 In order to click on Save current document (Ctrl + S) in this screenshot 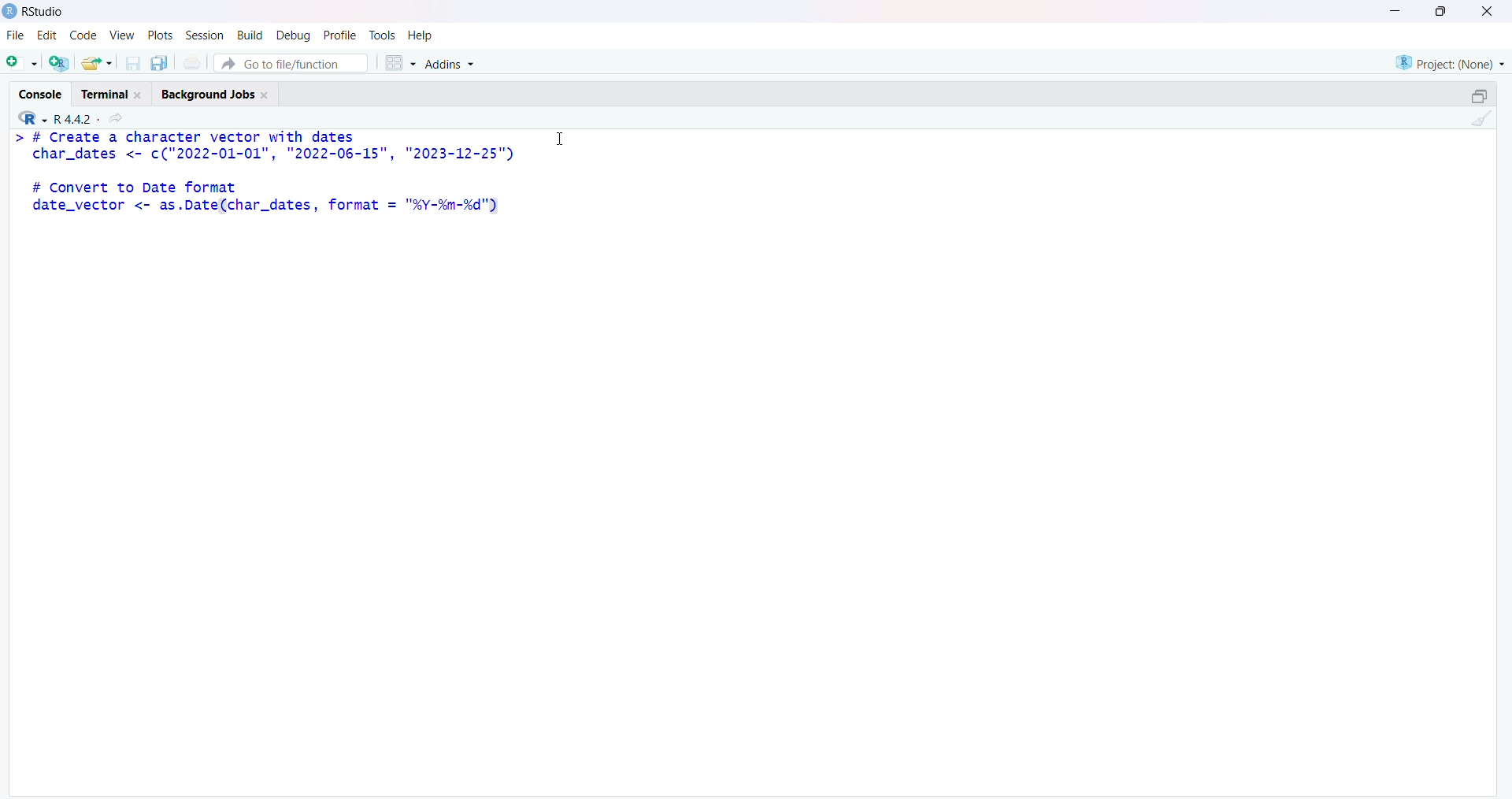, I will do `click(136, 60)`.